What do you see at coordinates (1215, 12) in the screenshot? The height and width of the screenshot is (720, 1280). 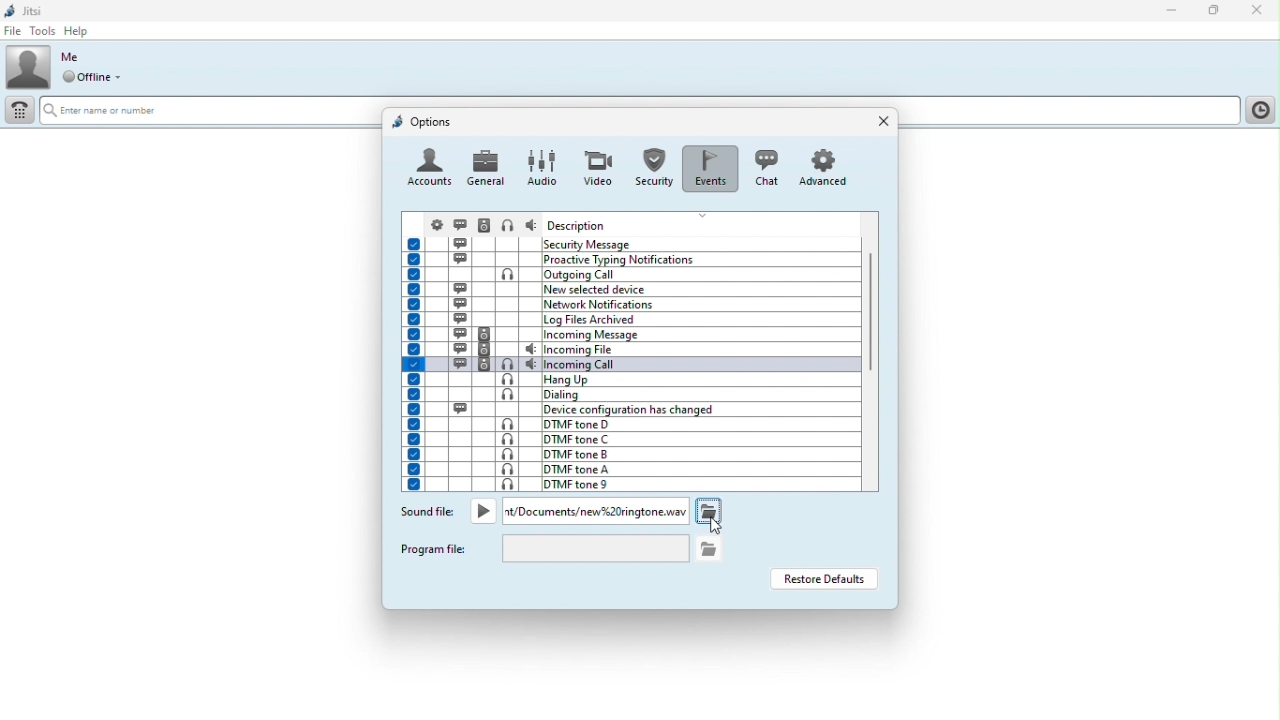 I see `Restore` at bounding box center [1215, 12].